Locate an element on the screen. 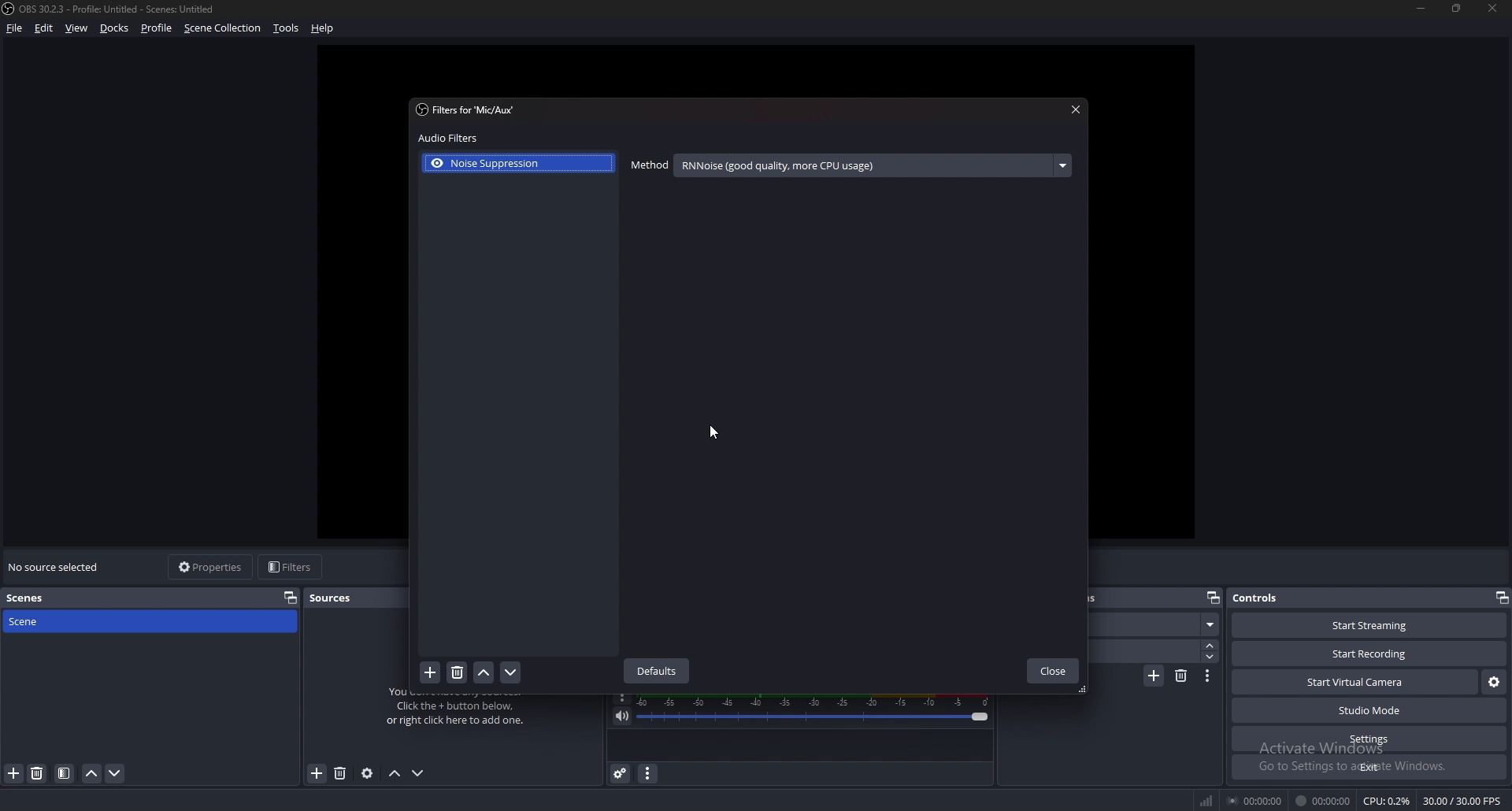  noise suppression is located at coordinates (517, 164).